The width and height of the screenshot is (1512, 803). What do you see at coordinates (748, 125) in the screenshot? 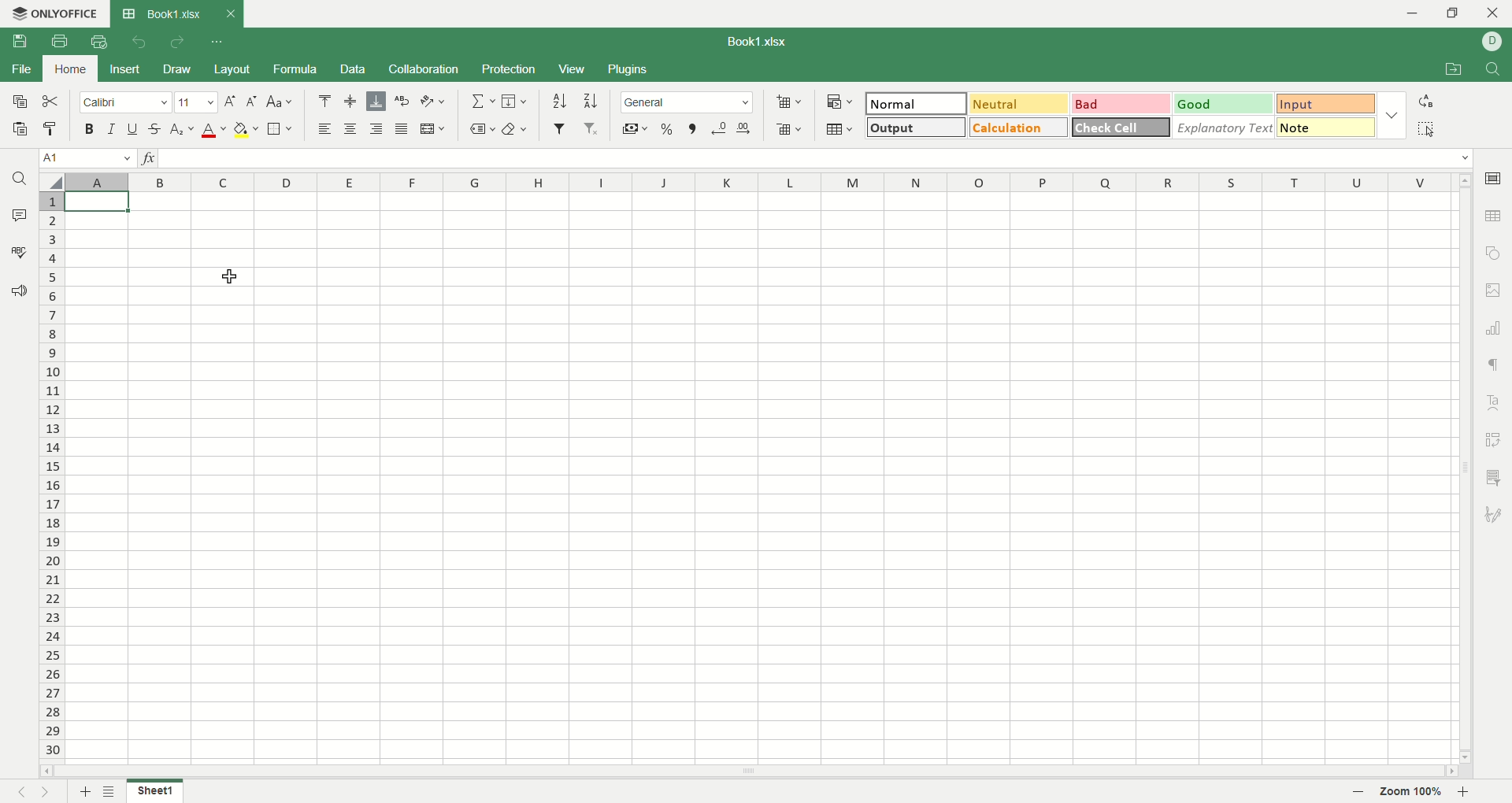
I see `increase decimal` at bounding box center [748, 125].